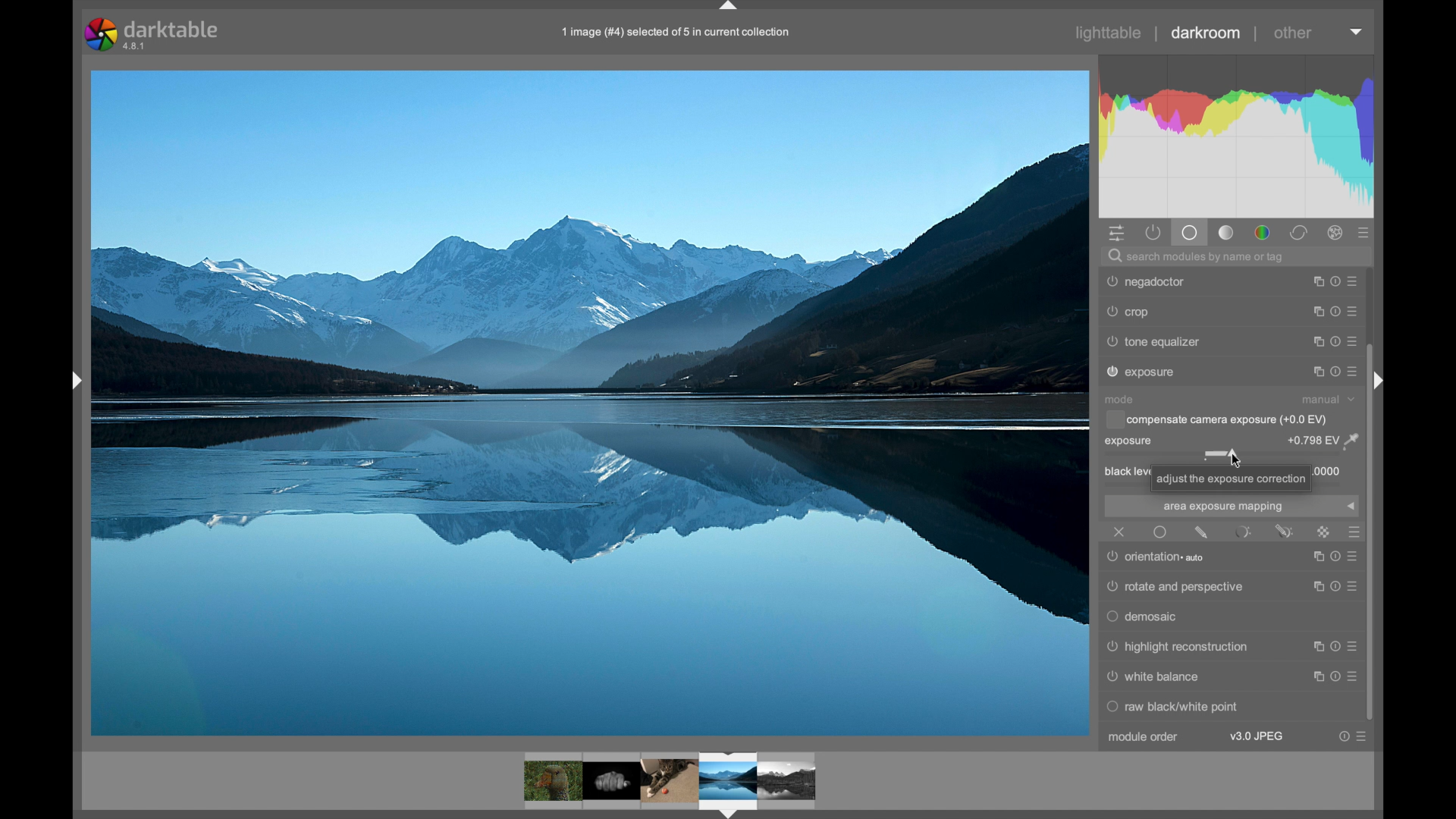  What do you see at coordinates (1356, 31) in the screenshot?
I see `dropdown` at bounding box center [1356, 31].